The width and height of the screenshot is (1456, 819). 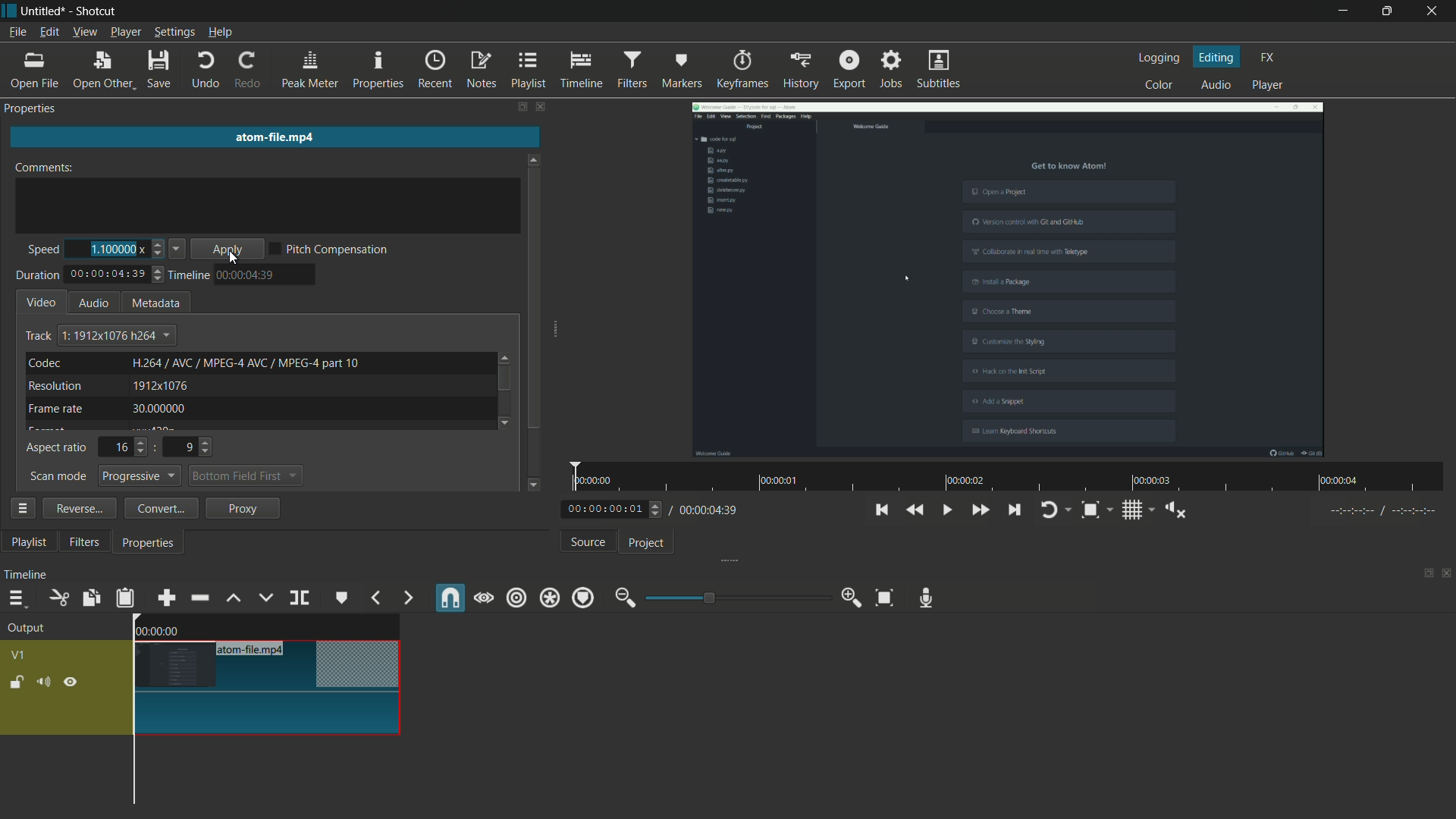 What do you see at coordinates (583, 598) in the screenshot?
I see `ripple markers` at bounding box center [583, 598].